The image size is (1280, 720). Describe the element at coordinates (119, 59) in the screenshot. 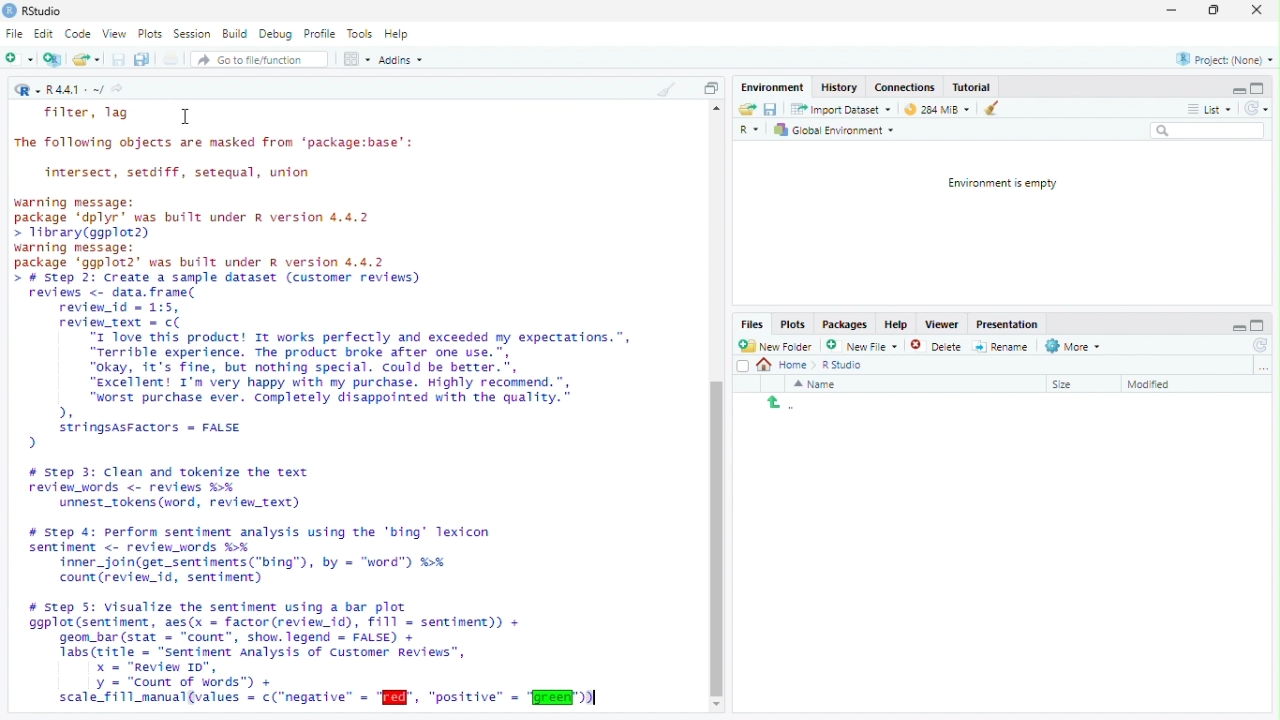

I see `Save` at that location.